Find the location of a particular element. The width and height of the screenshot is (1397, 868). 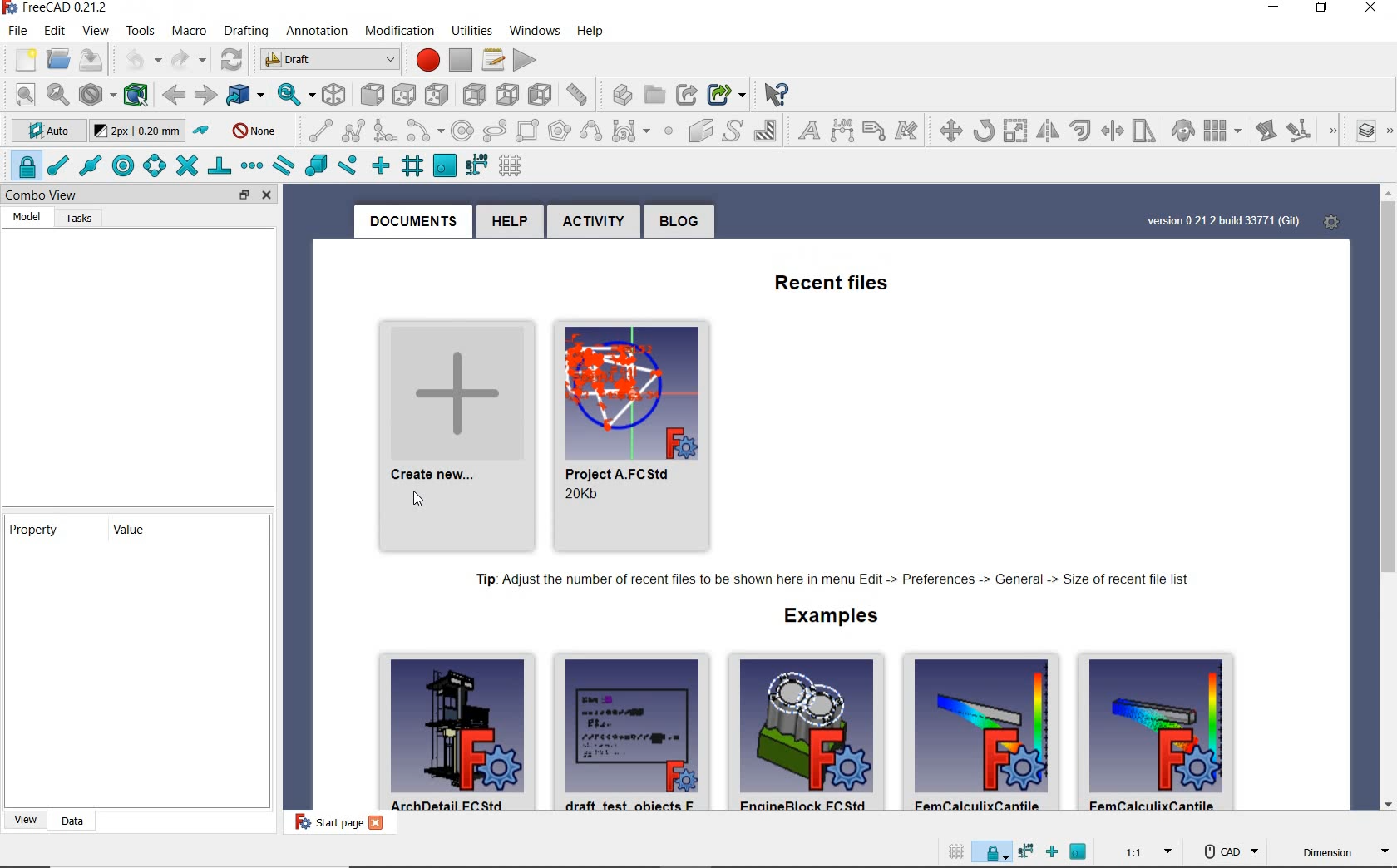

combo view is located at coordinates (50, 195).